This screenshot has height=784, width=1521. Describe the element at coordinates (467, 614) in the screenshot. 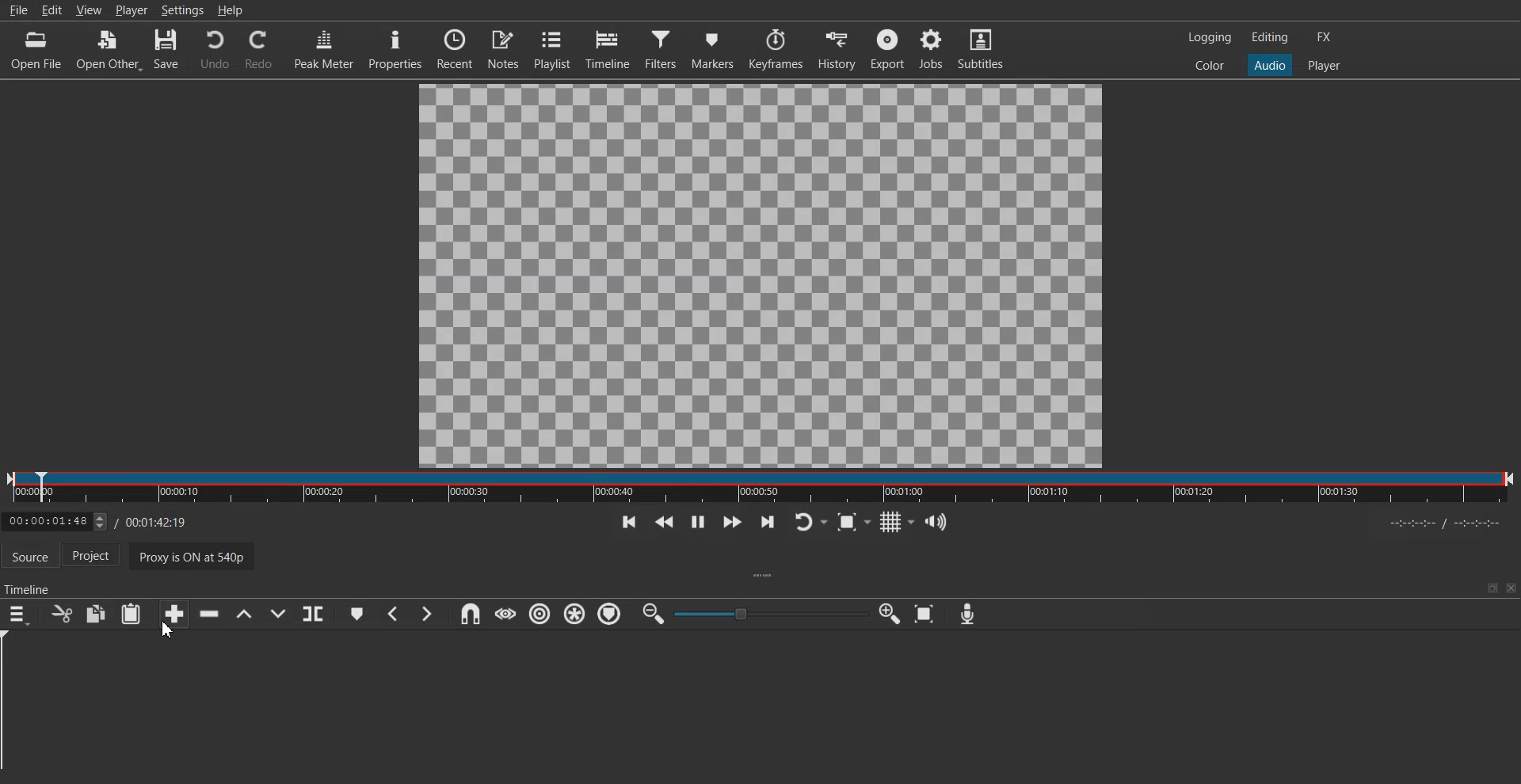

I see `Snap` at that location.